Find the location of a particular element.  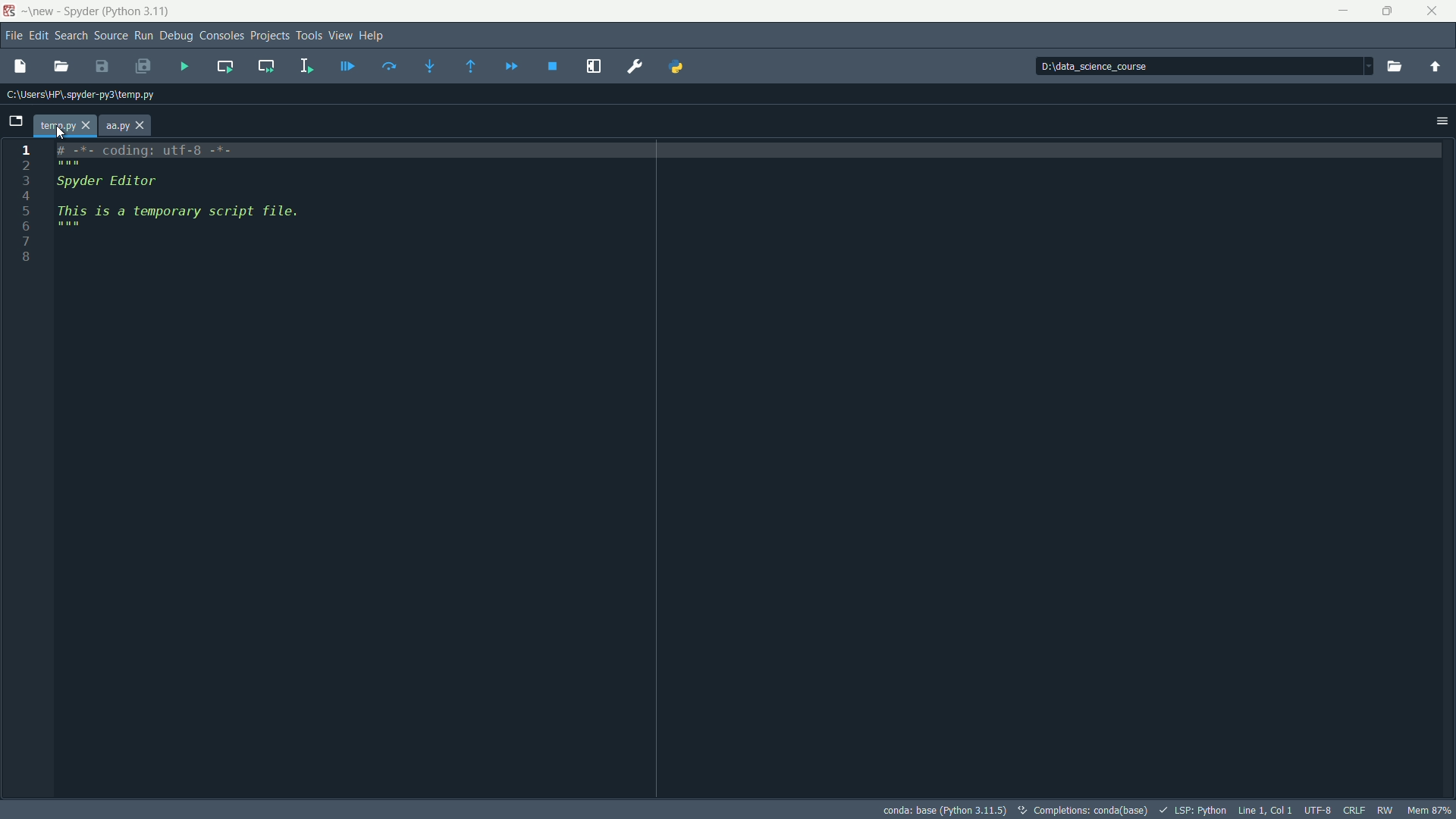

options is located at coordinates (1439, 121).